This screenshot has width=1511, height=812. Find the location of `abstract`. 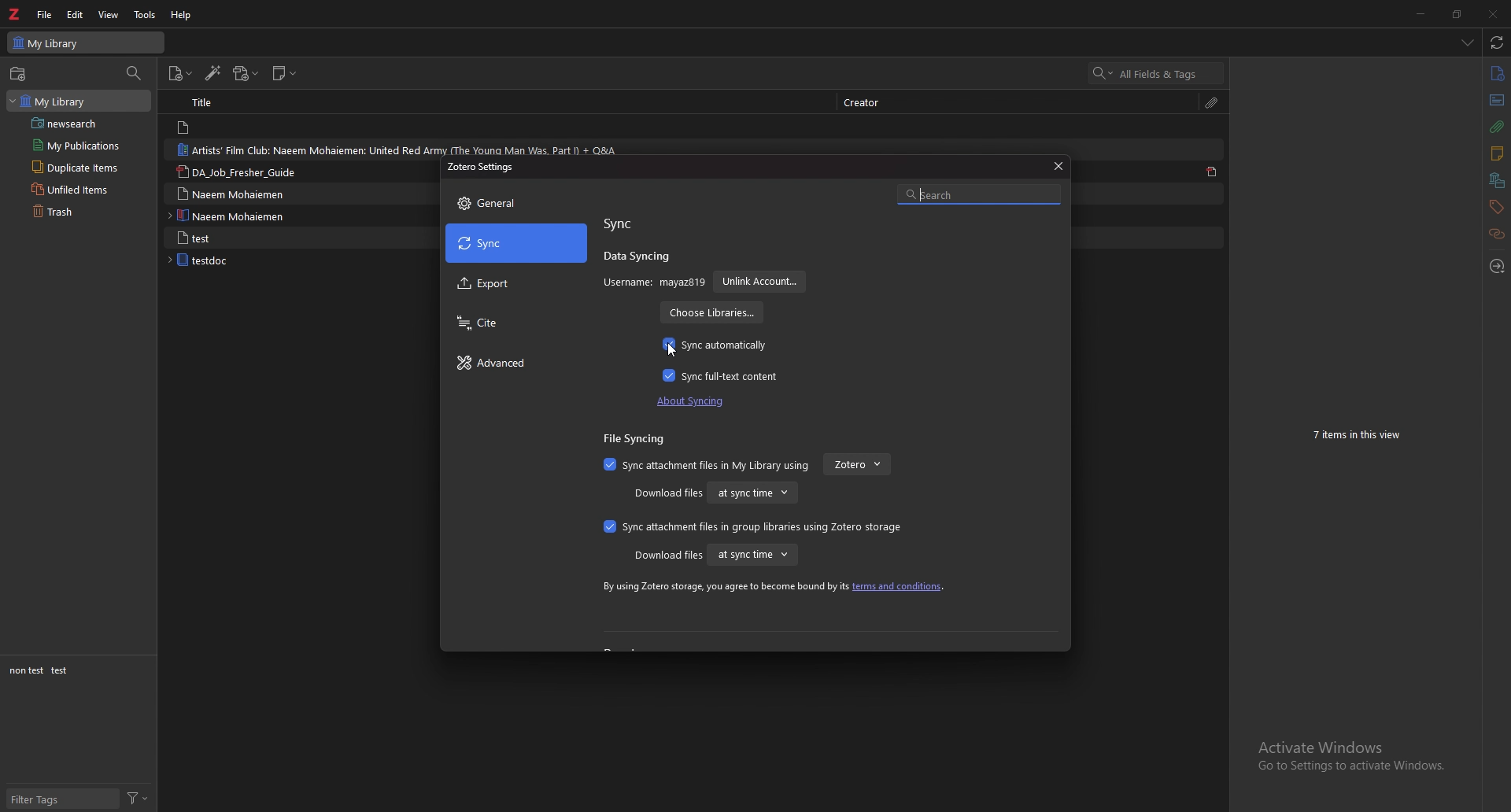

abstract is located at coordinates (1495, 101).